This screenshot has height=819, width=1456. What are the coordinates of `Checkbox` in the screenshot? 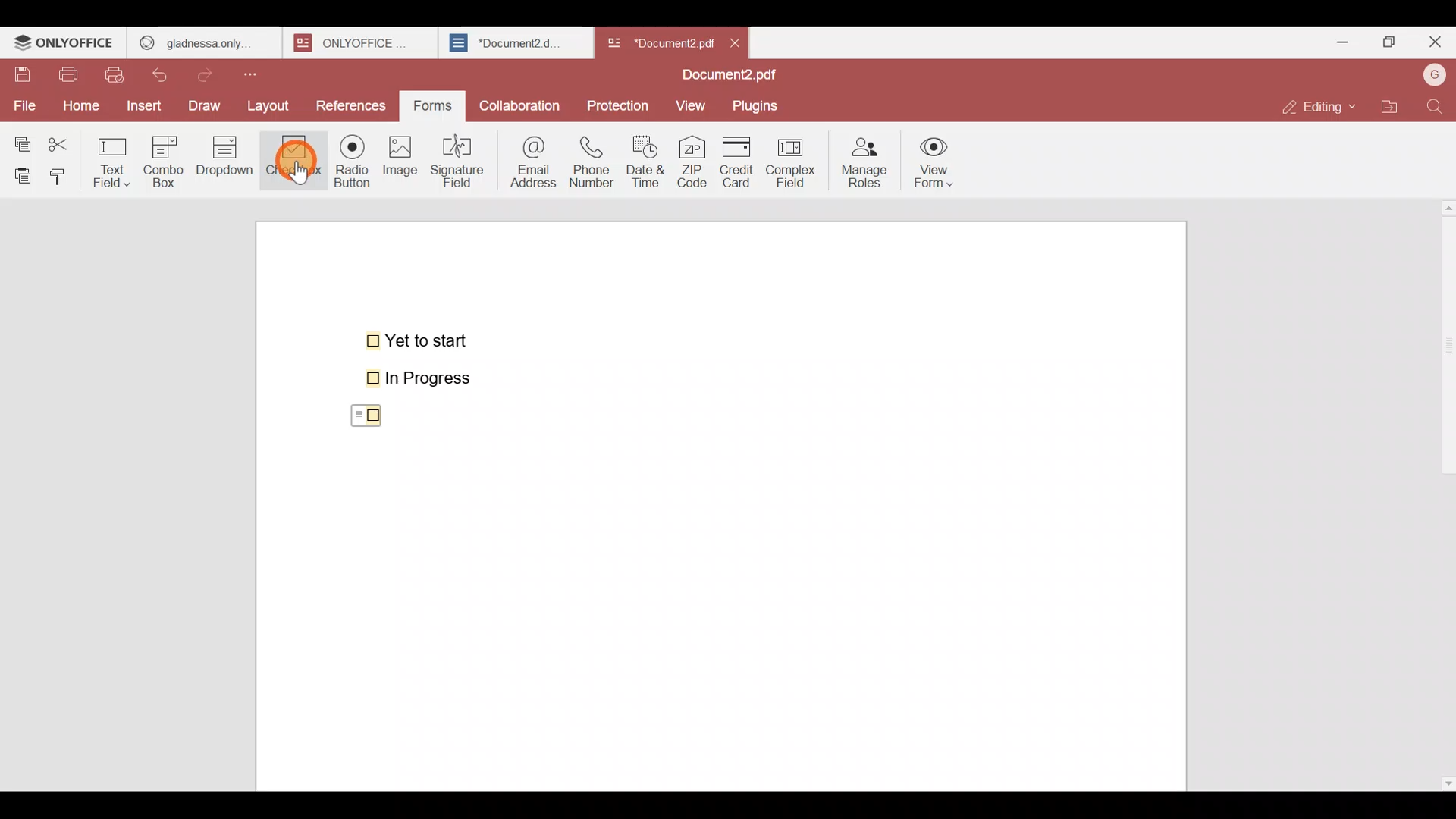 It's located at (290, 162).